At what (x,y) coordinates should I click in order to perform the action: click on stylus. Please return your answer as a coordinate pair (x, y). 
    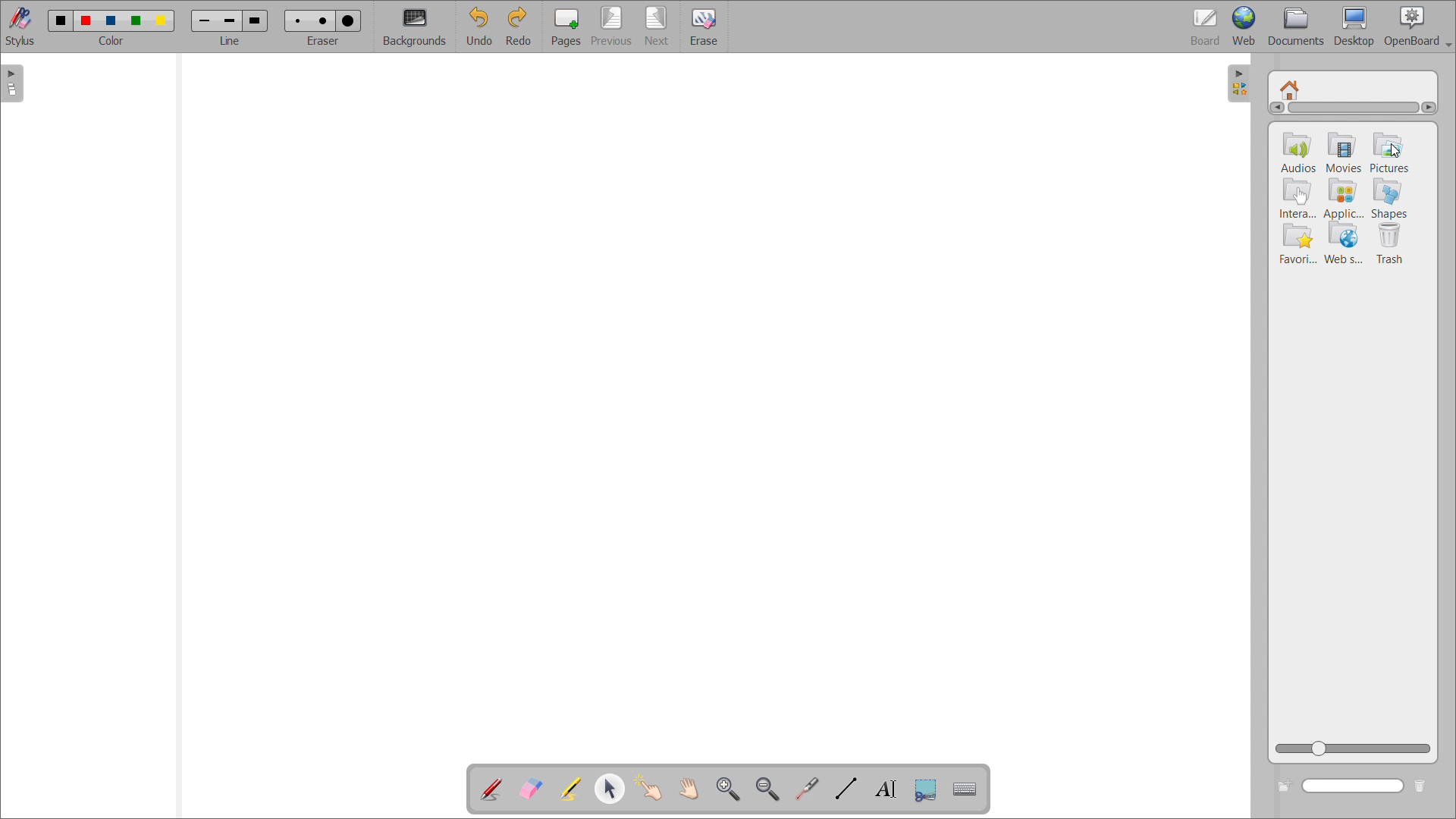
    Looking at the image, I should click on (20, 26).